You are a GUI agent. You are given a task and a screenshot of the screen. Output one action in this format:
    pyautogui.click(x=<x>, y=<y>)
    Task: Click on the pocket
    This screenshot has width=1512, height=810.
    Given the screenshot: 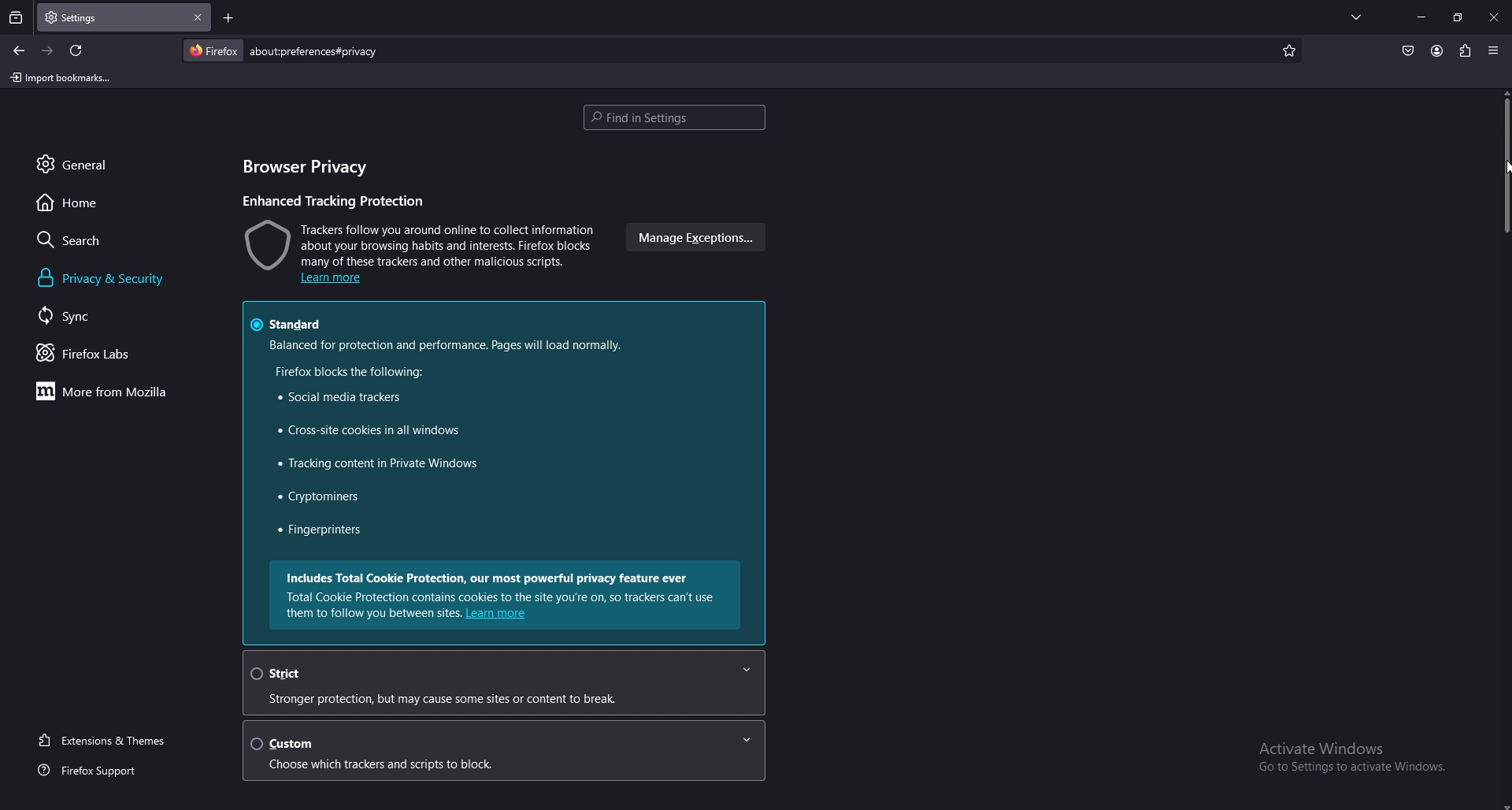 What is the action you would take?
    pyautogui.click(x=1407, y=50)
    